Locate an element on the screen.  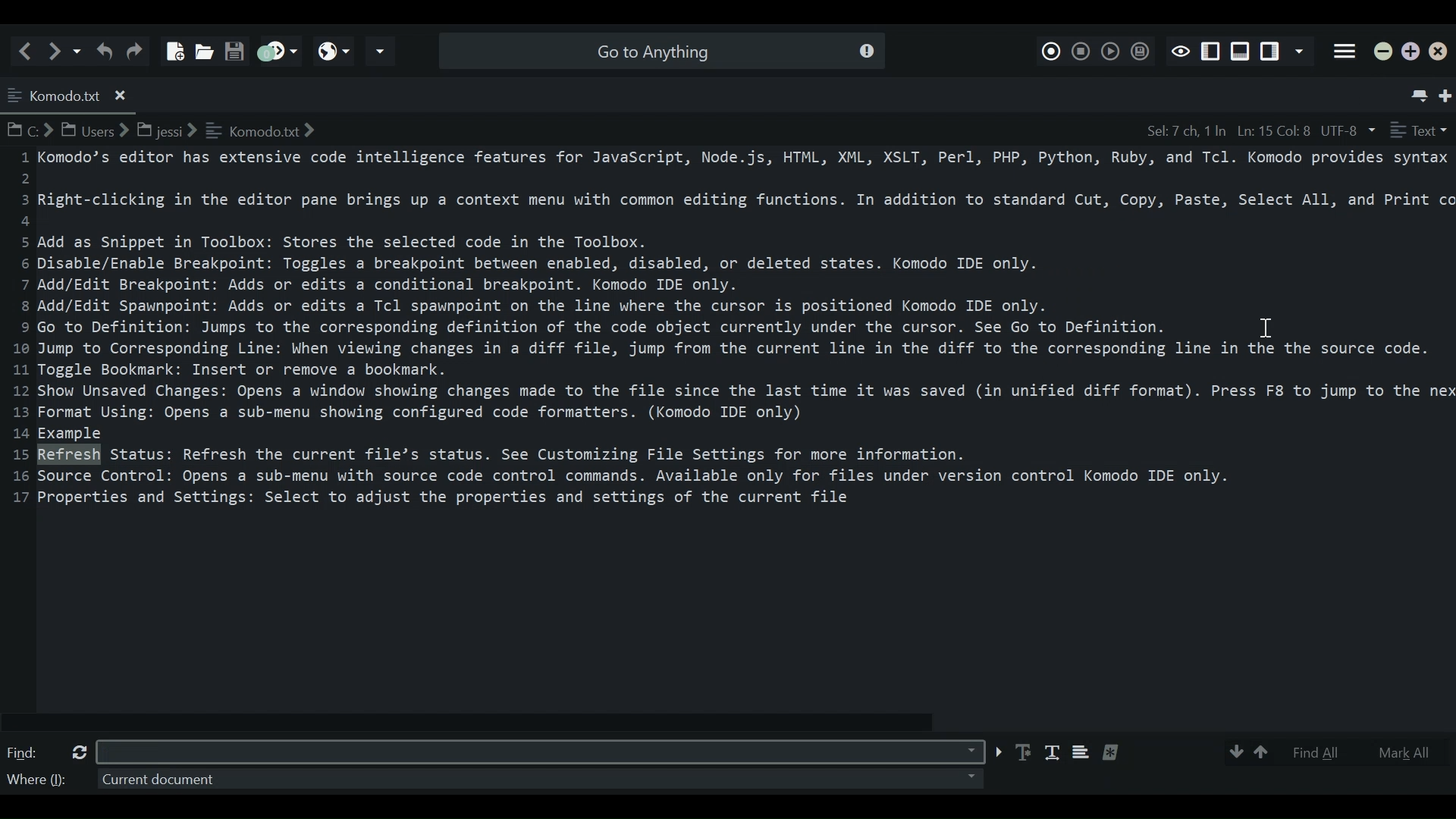
Use multiple lines is located at coordinates (1081, 755).